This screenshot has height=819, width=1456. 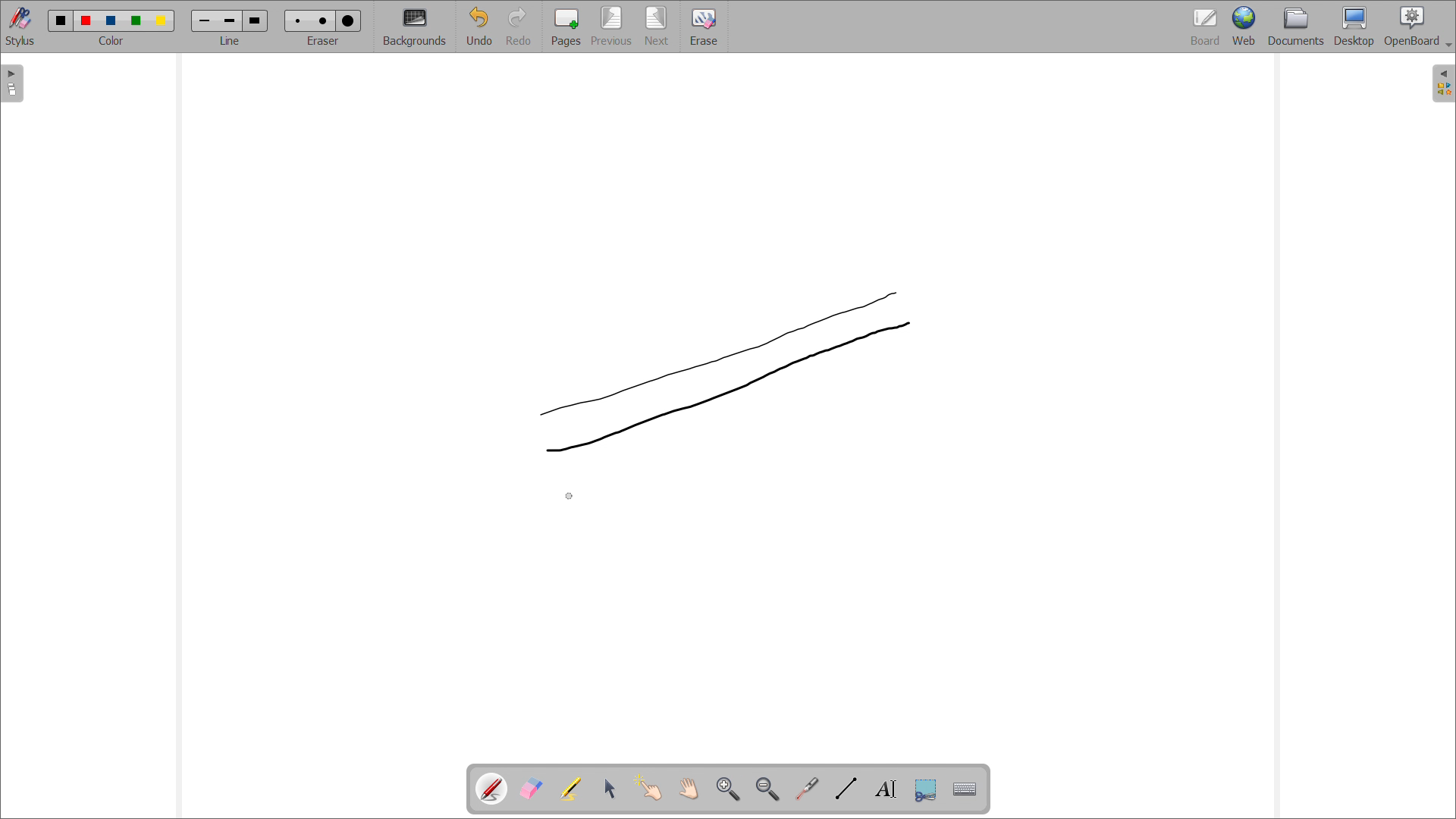 I want to click on openboard settings, so click(x=1417, y=27).